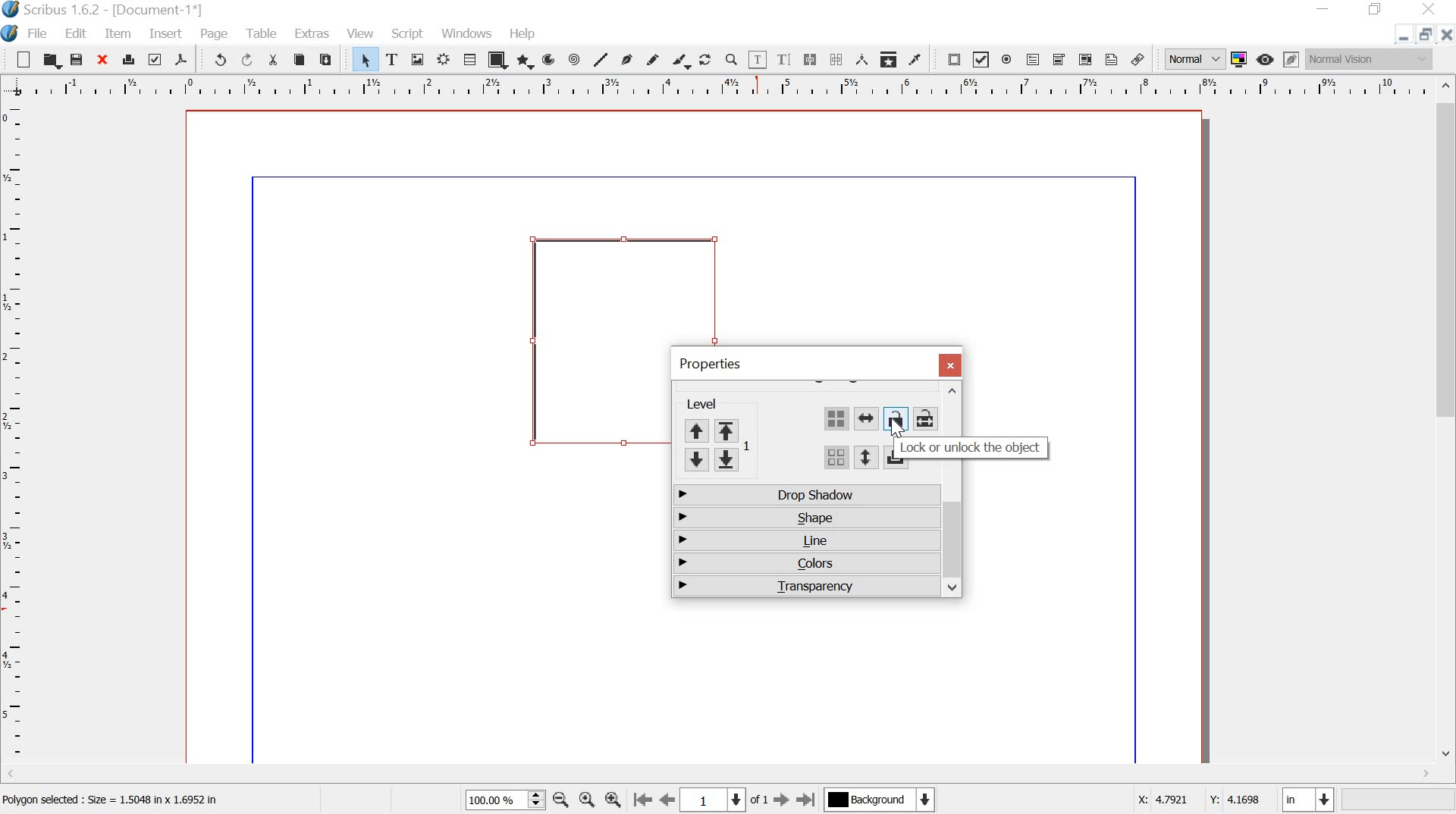 The image size is (1456, 814). I want to click on zoom in and out, so click(536, 799).